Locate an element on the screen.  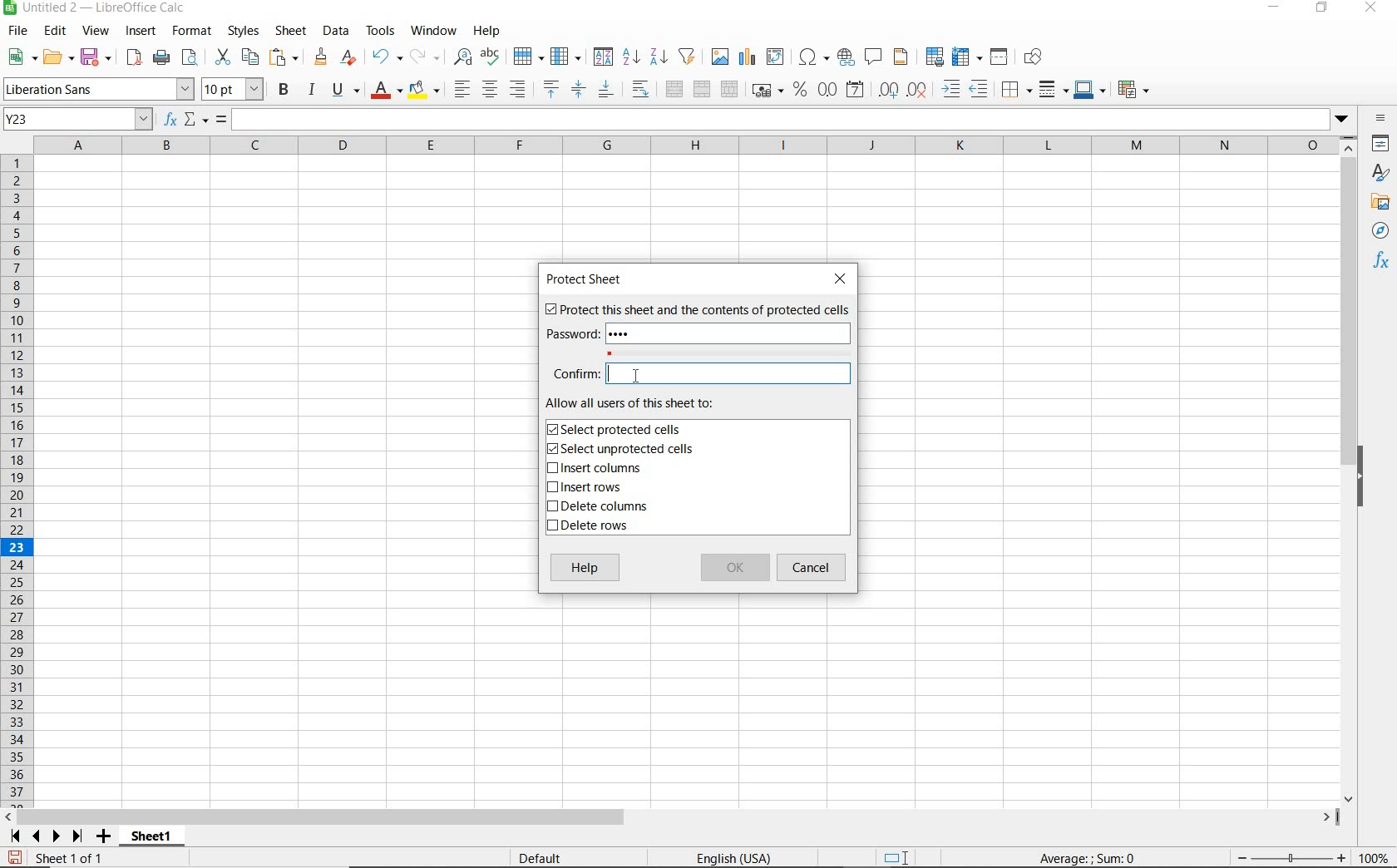
HELP is located at coordinates (490, 31).